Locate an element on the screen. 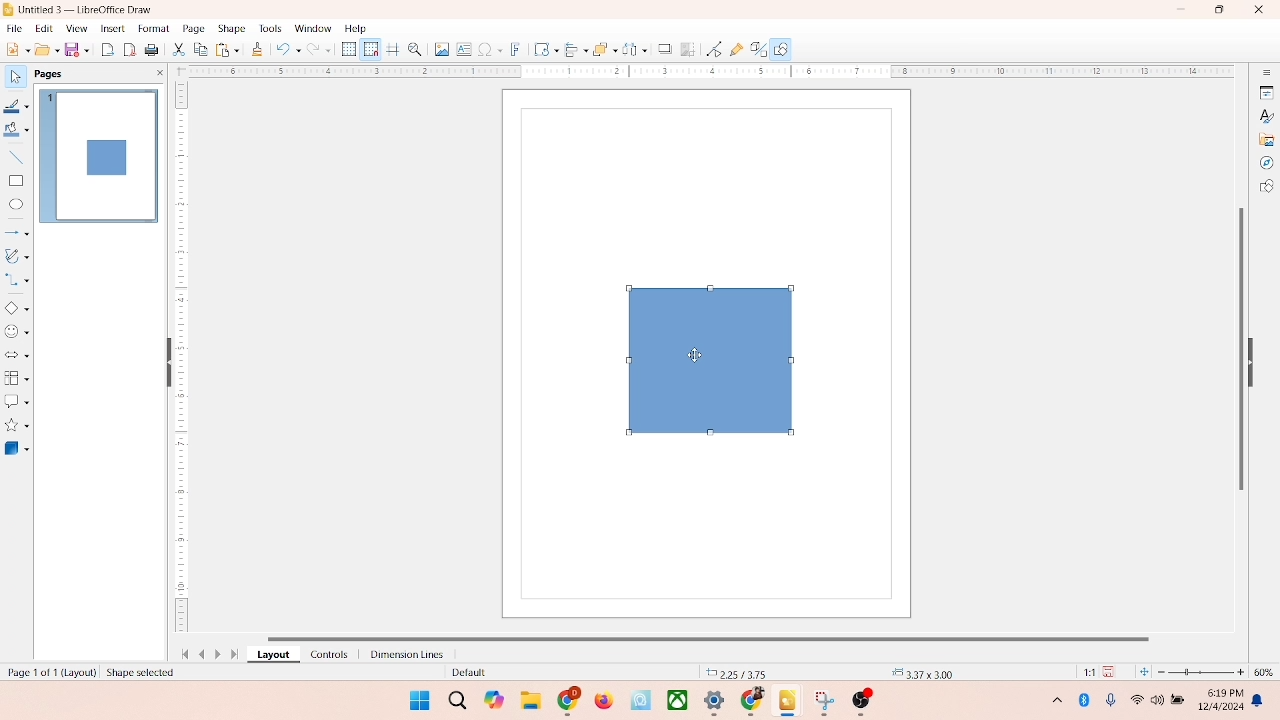  folders is located at coordinates (530, 698).